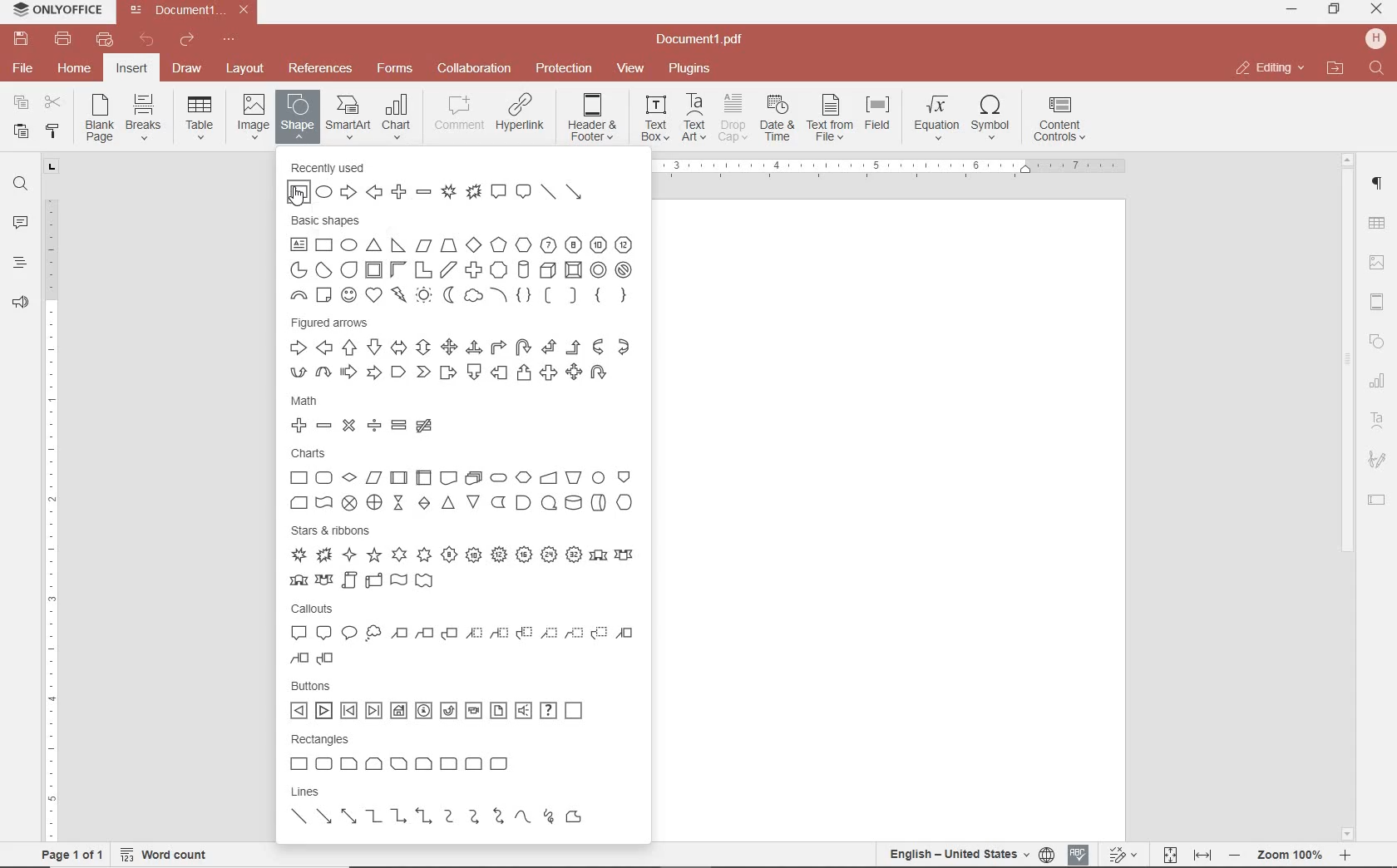 Image resolution: width=1397 pixels, height=868 pixels. What do you see at coordinates (1335, 69) in the screenshot?
I see `open file location` at bounding box center [1335, 69].